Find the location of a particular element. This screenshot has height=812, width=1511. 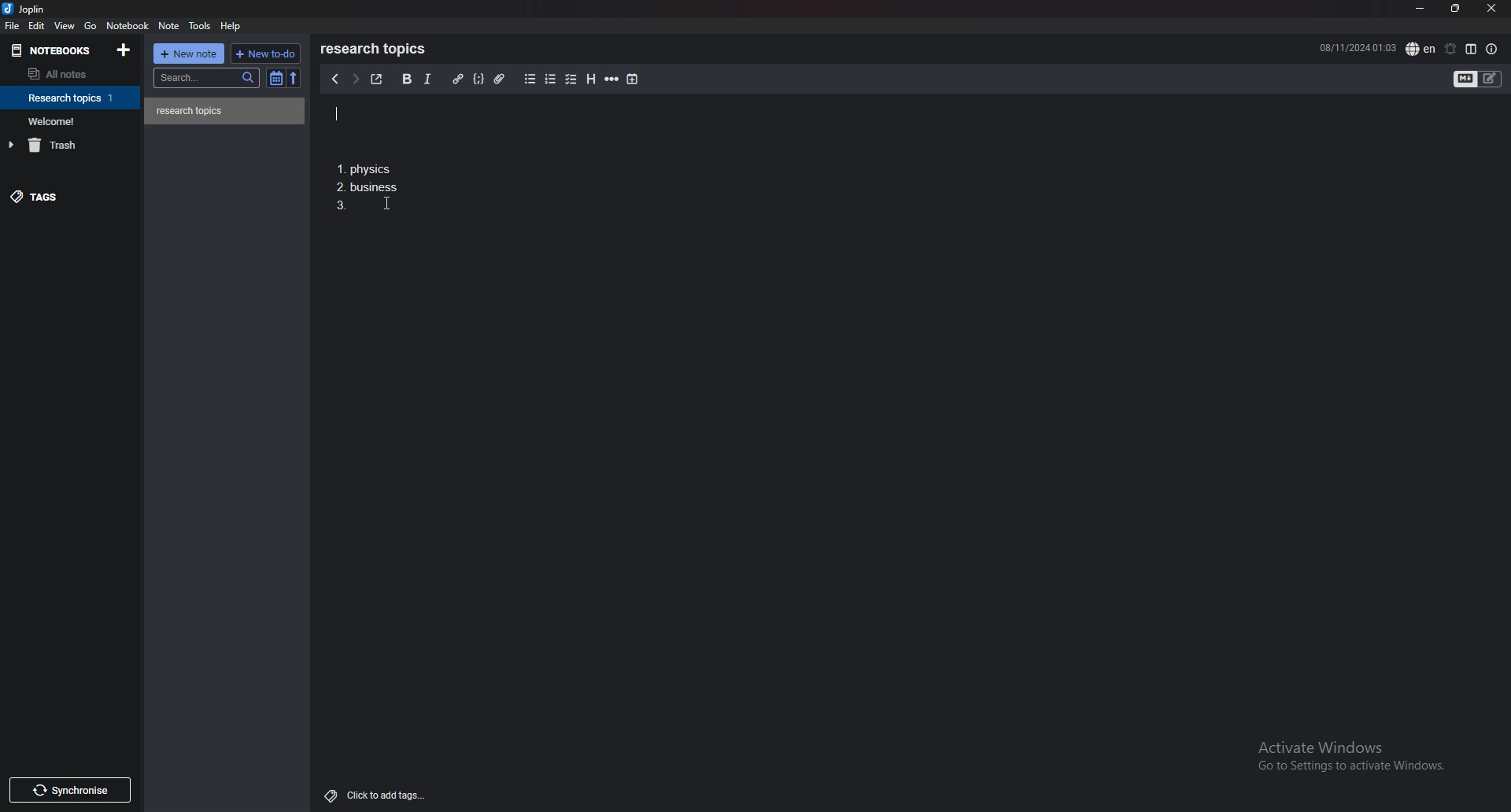

tags is located at coordinates (67, 200).